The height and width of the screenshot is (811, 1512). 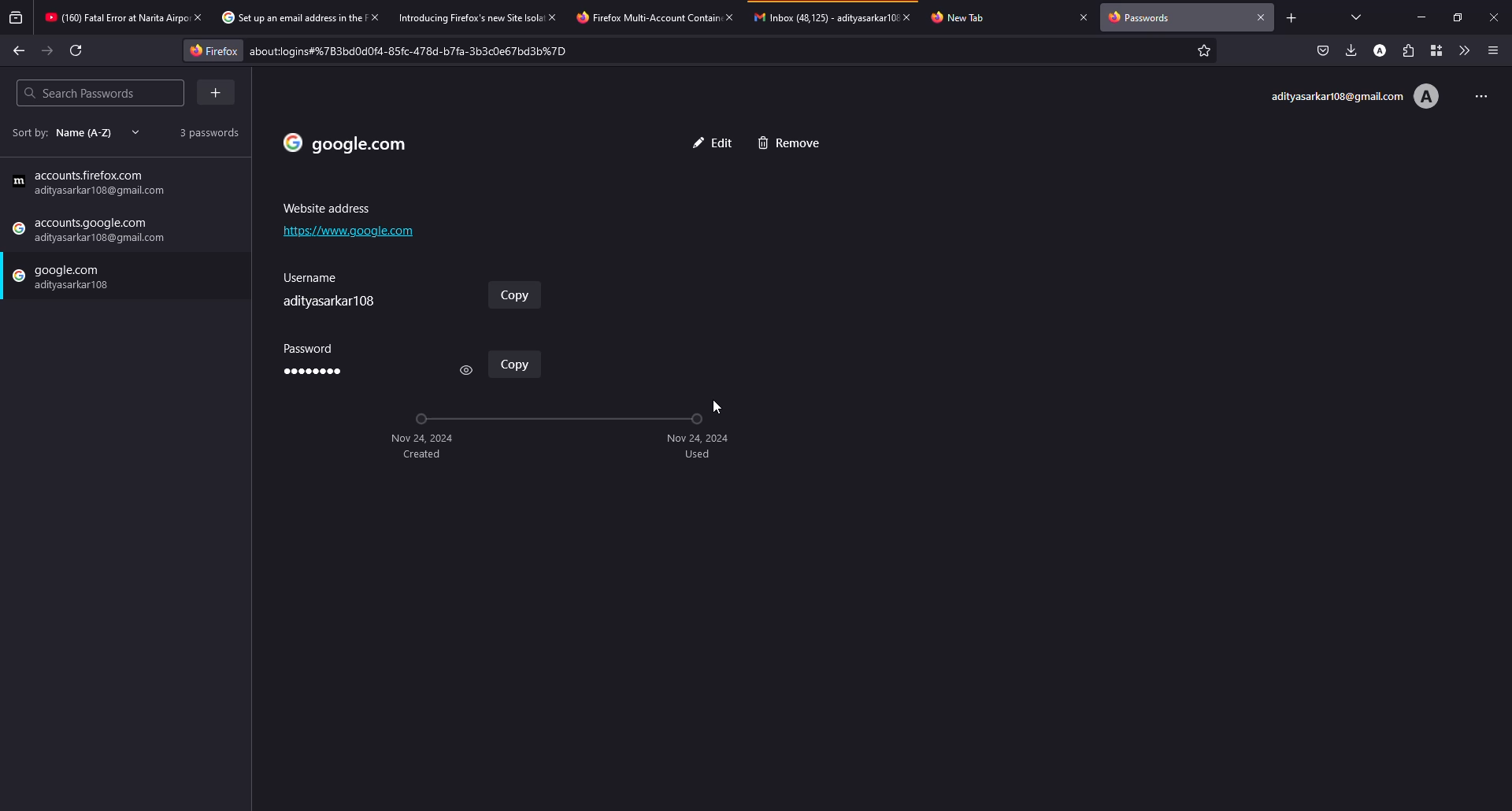 I want to click on add tab, so click(x=1291, y=17).